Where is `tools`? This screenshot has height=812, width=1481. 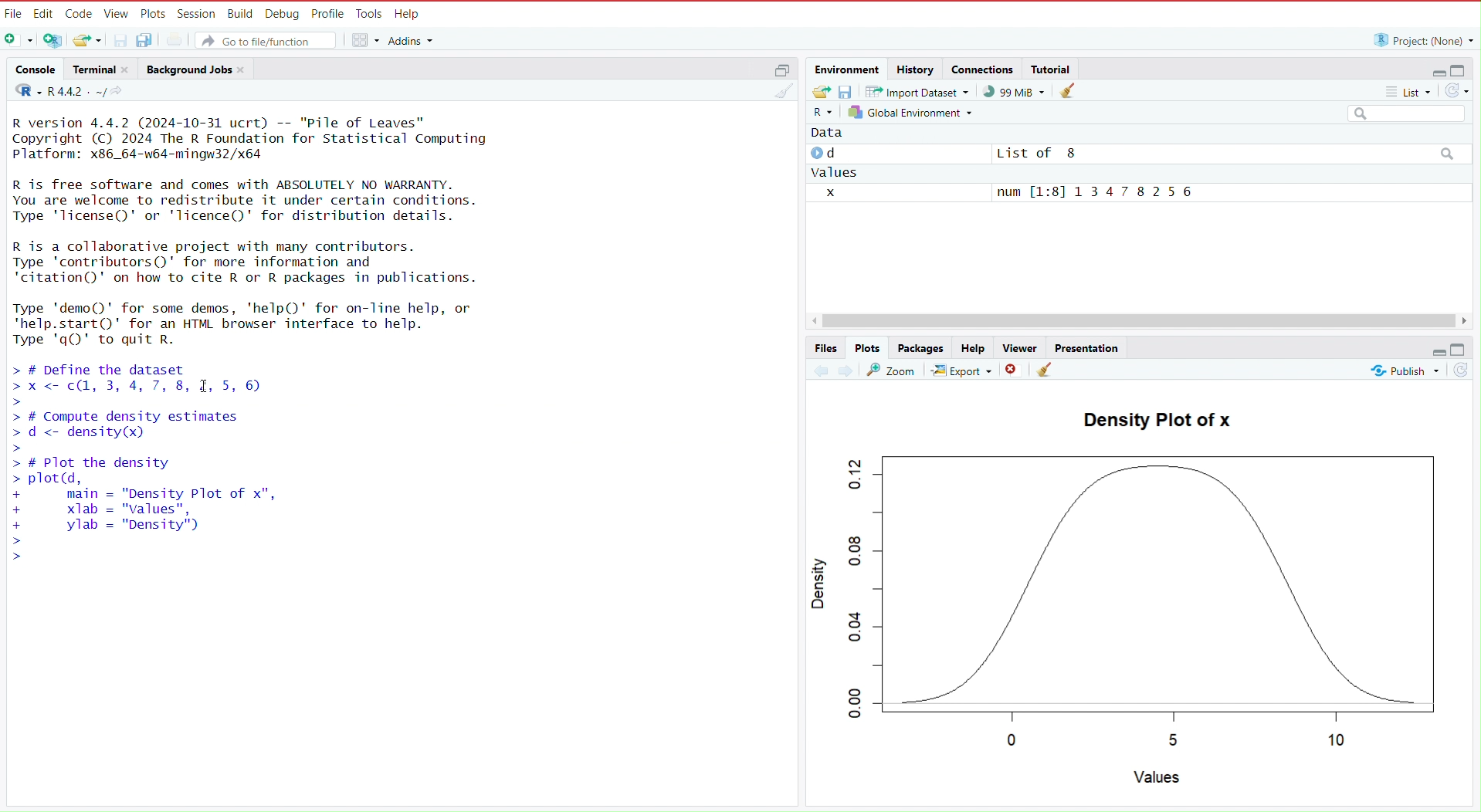 tools is located at coordinates (371, 12).